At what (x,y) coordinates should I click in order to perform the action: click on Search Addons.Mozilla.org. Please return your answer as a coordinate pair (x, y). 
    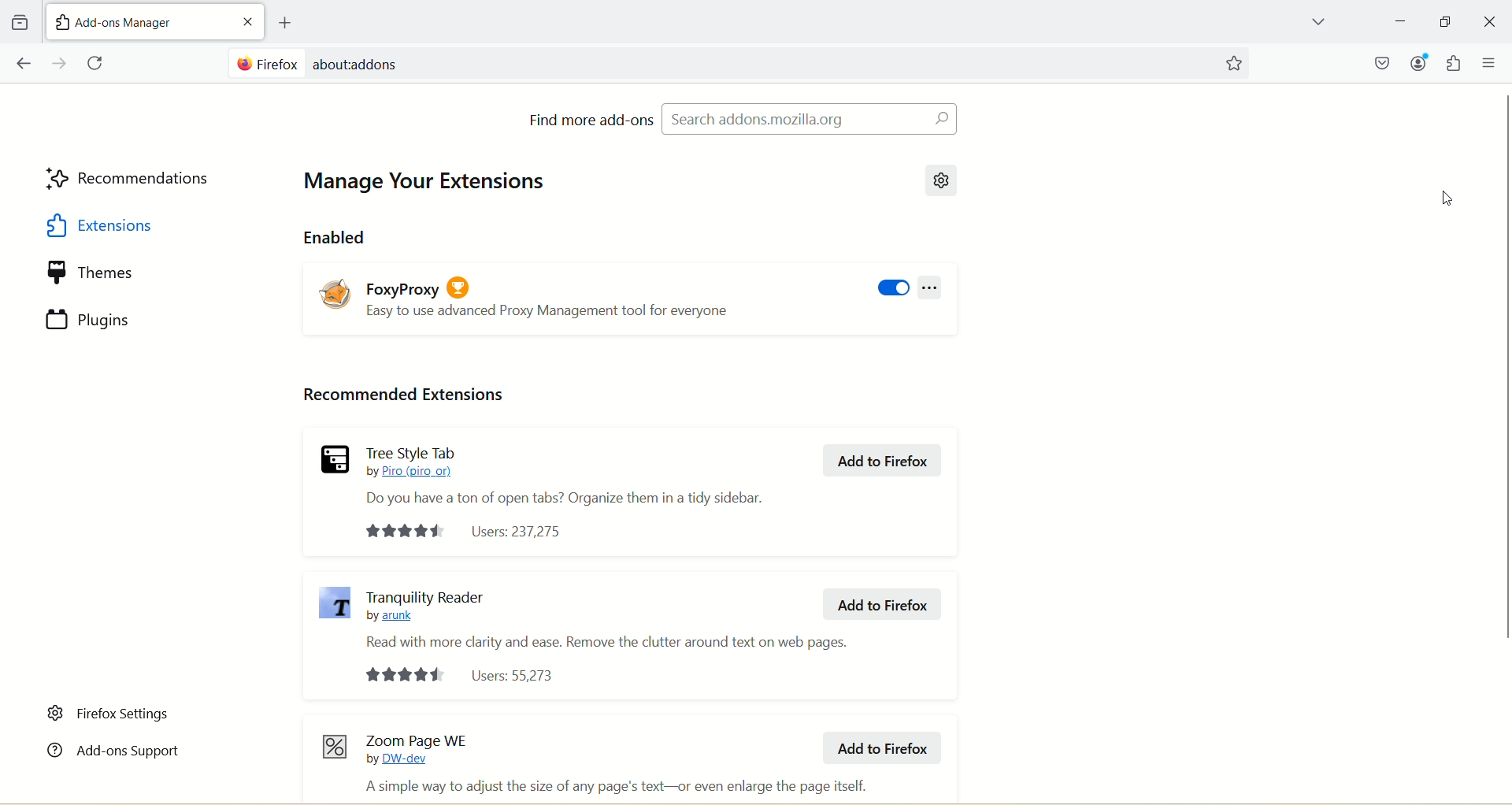
    Looking at the image, I should click on (809, 118).